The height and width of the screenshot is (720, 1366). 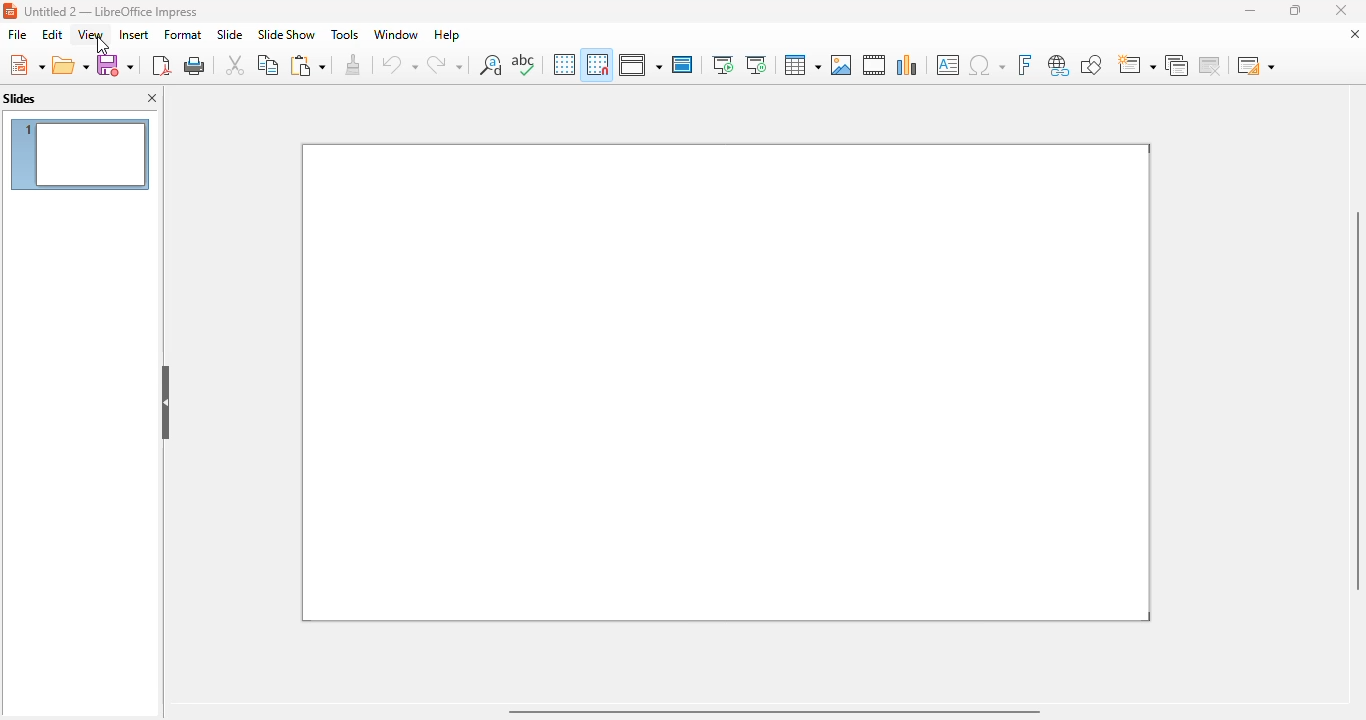 What do you see at coordinates (756, 65) in the screenshot?
I see `start from current slide` at bounding box center [756, 65].